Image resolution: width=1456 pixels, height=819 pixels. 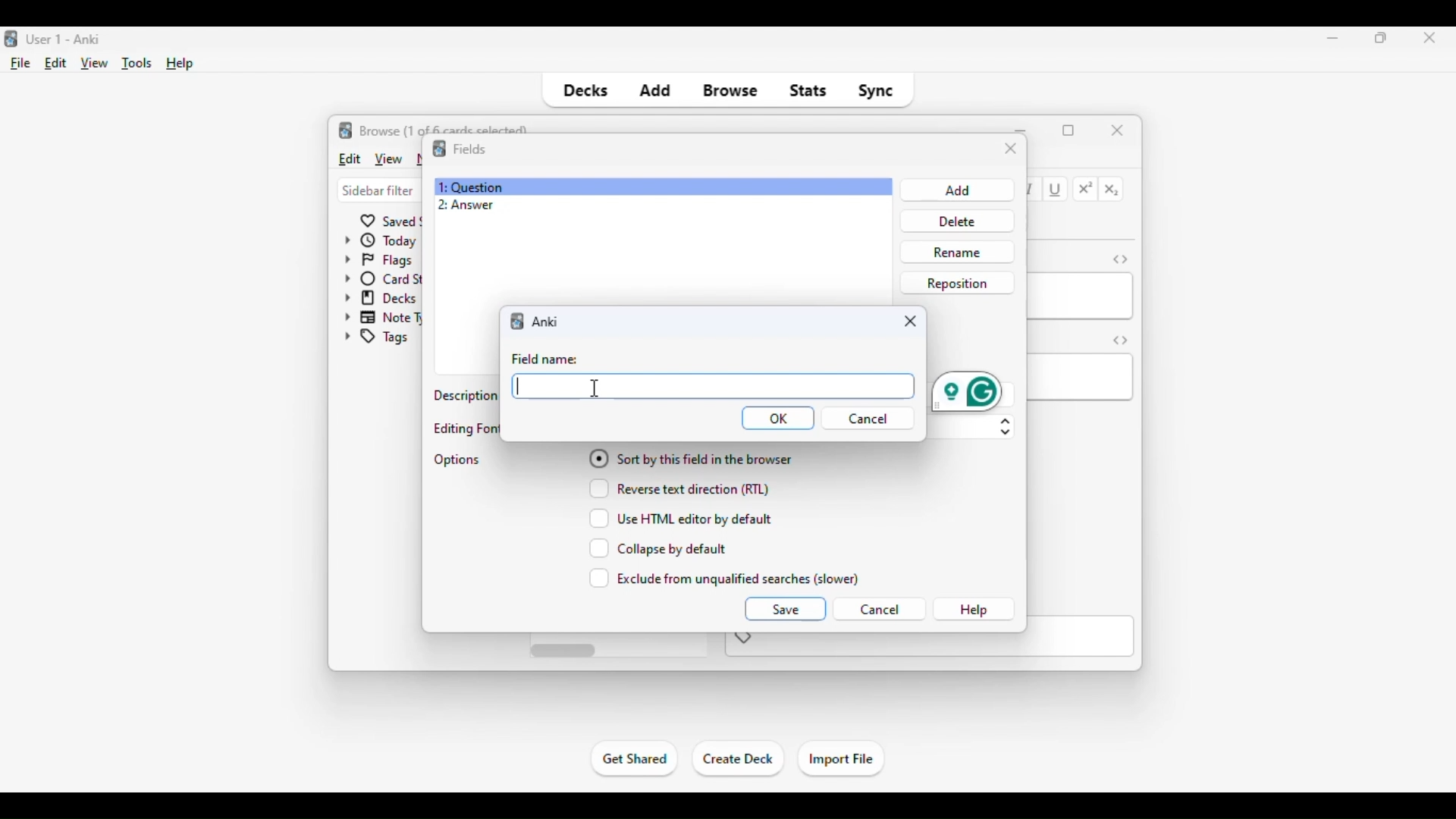 What do you see at coordinates (1056, 190) in the screenshot?
I see `underline` at bounding box center [1056, 190].